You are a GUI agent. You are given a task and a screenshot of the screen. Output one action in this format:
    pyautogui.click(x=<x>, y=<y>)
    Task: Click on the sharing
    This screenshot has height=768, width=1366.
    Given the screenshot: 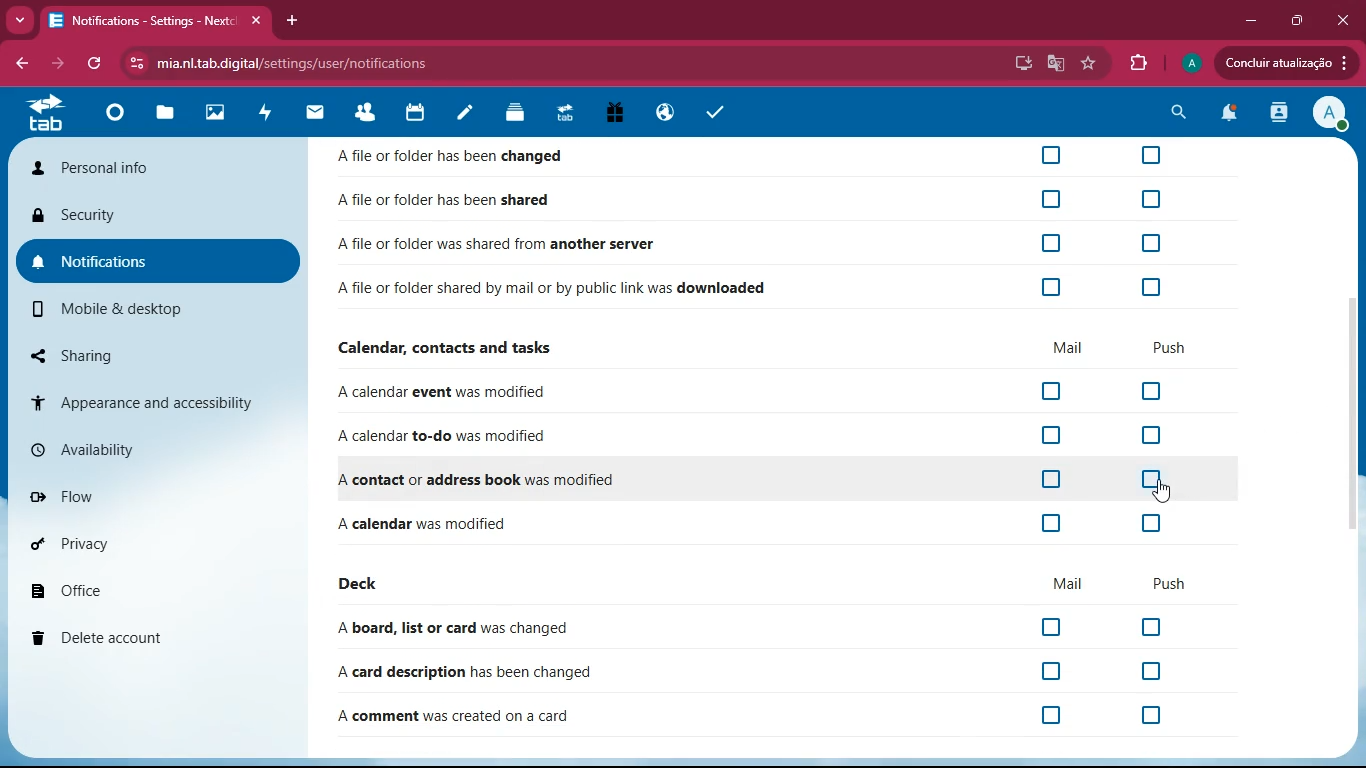 What is the action you would take?
    pyautogui.click(x=150, y=356)
    